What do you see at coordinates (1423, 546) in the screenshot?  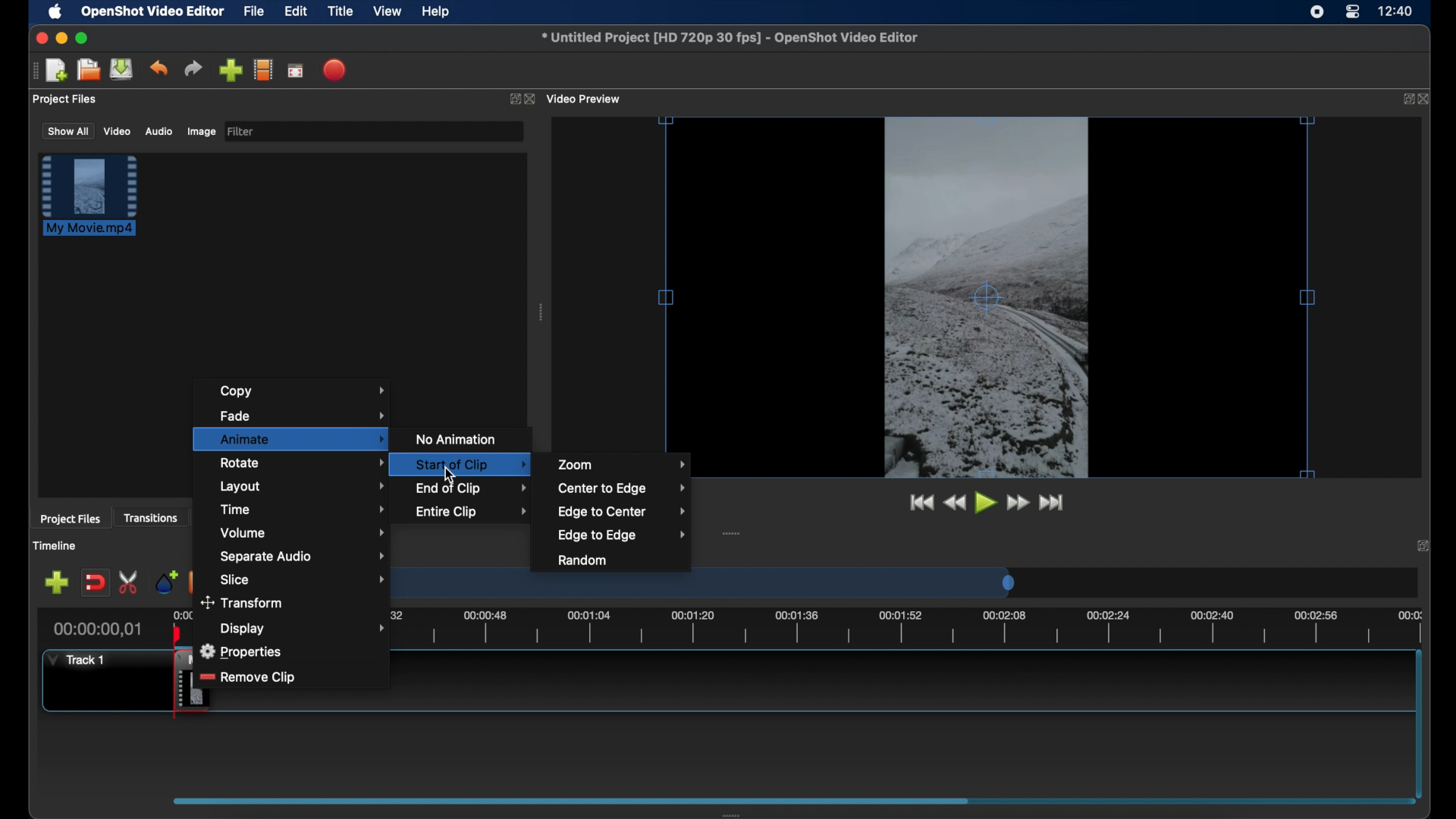 I see `expand` at bounding box center [1423, 546].